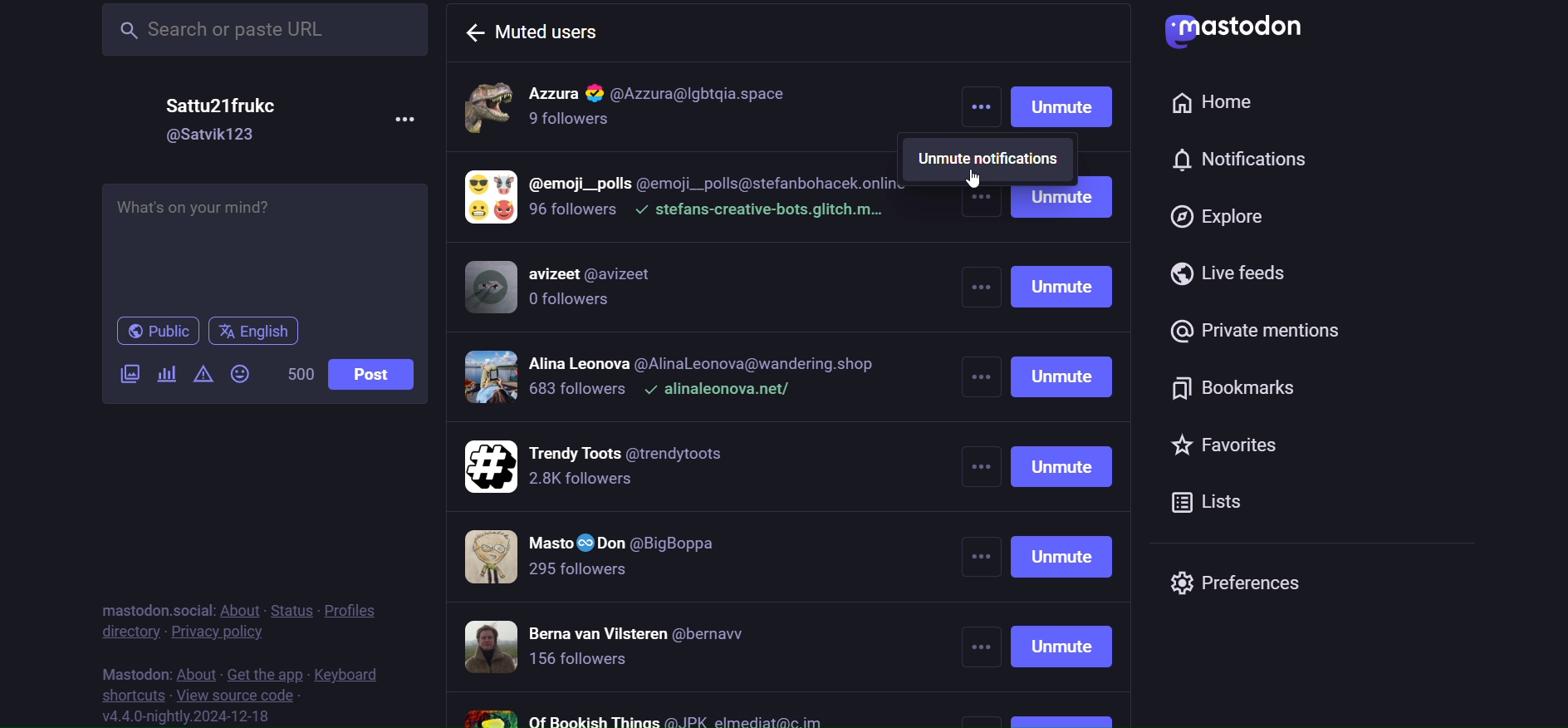 This screenshot has width=1568, height=728. Describe the element at coordinates (196, 671) in the screenshot. I see `about` at that location.